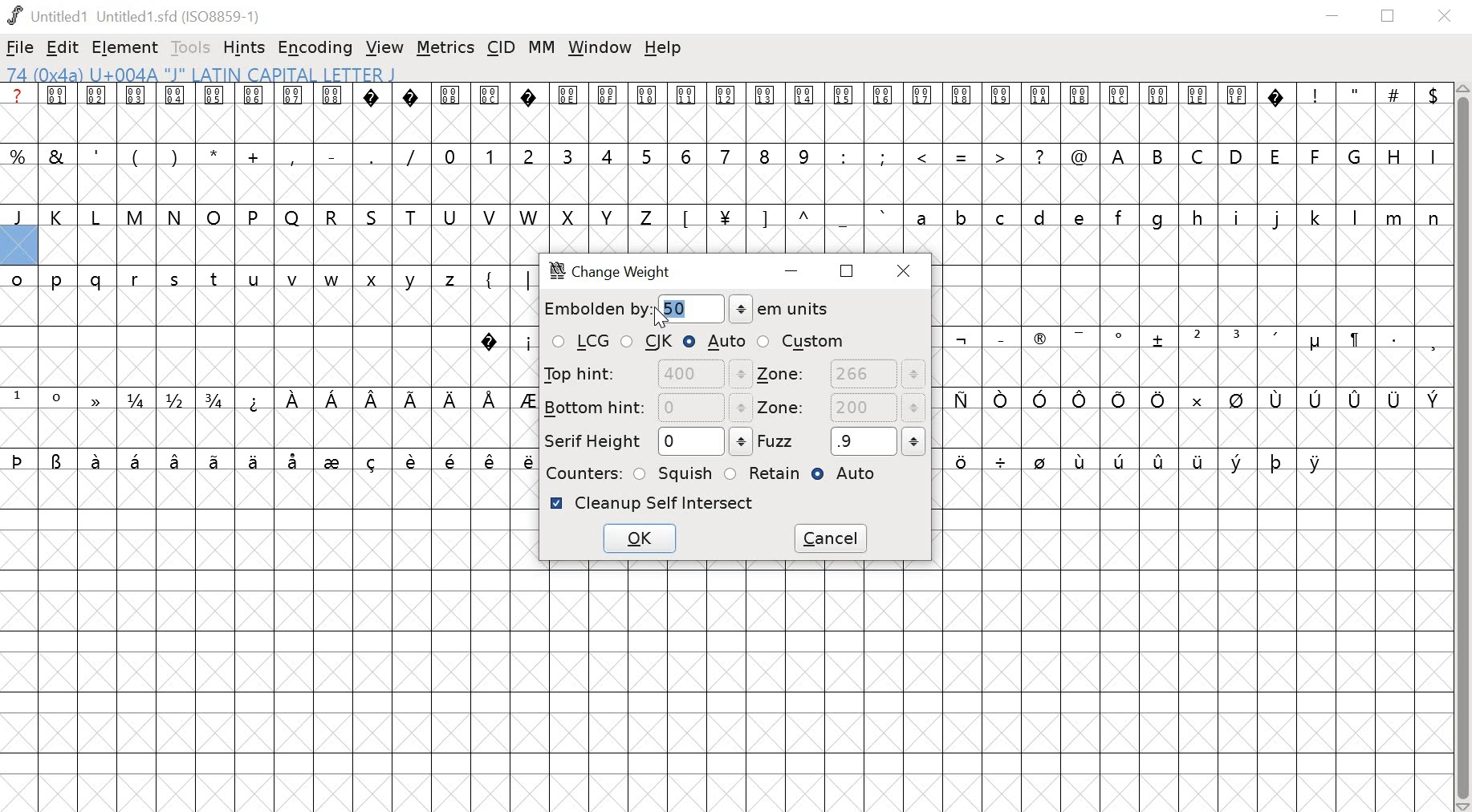 This screenshot has width=1472, height=812. What do you see at coordinates (581, 473) in the screenshot?
I see `COUNTERS` at bounding box center [581, 473].